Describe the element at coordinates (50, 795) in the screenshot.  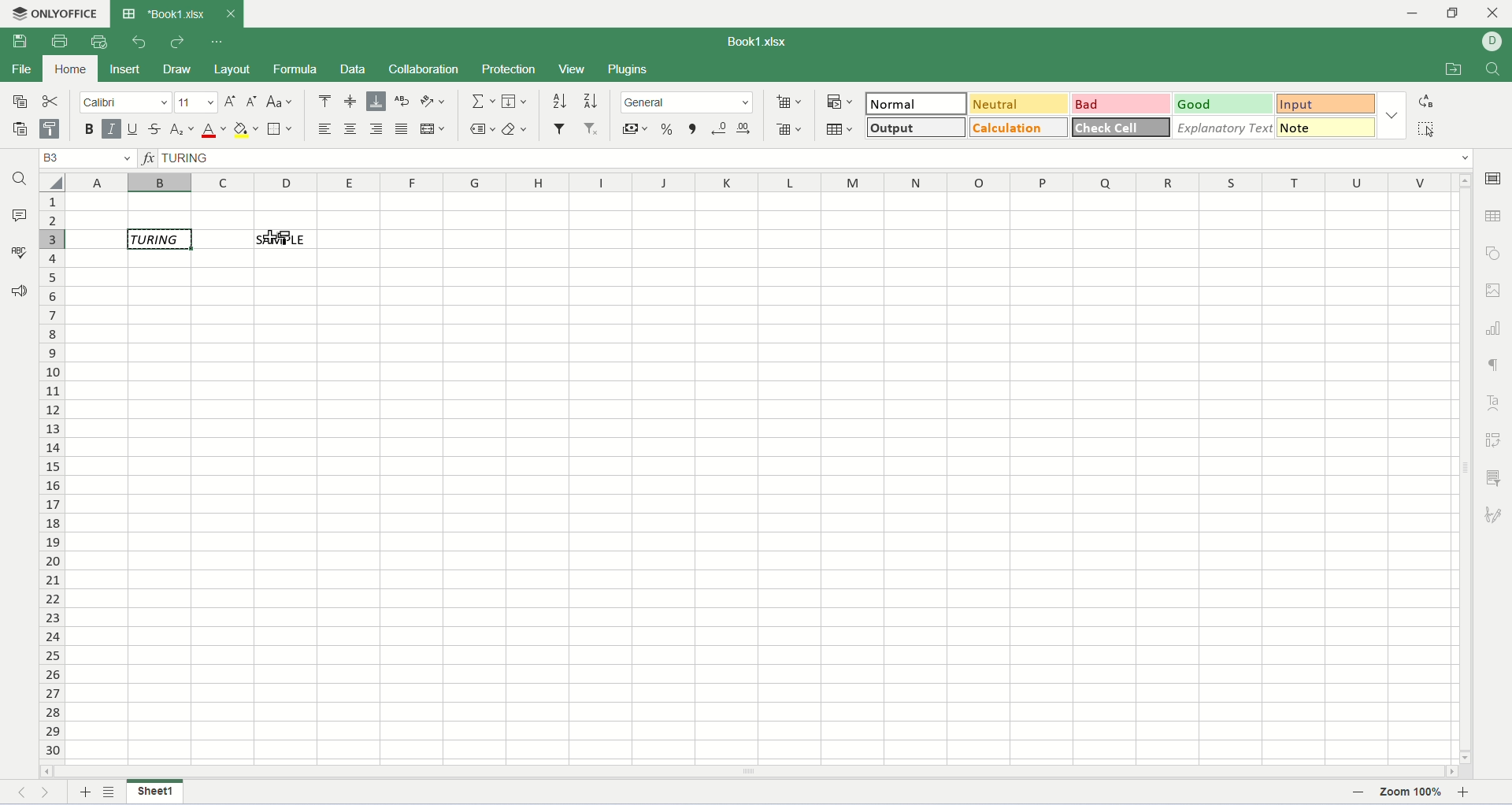
I see `next` at that location.